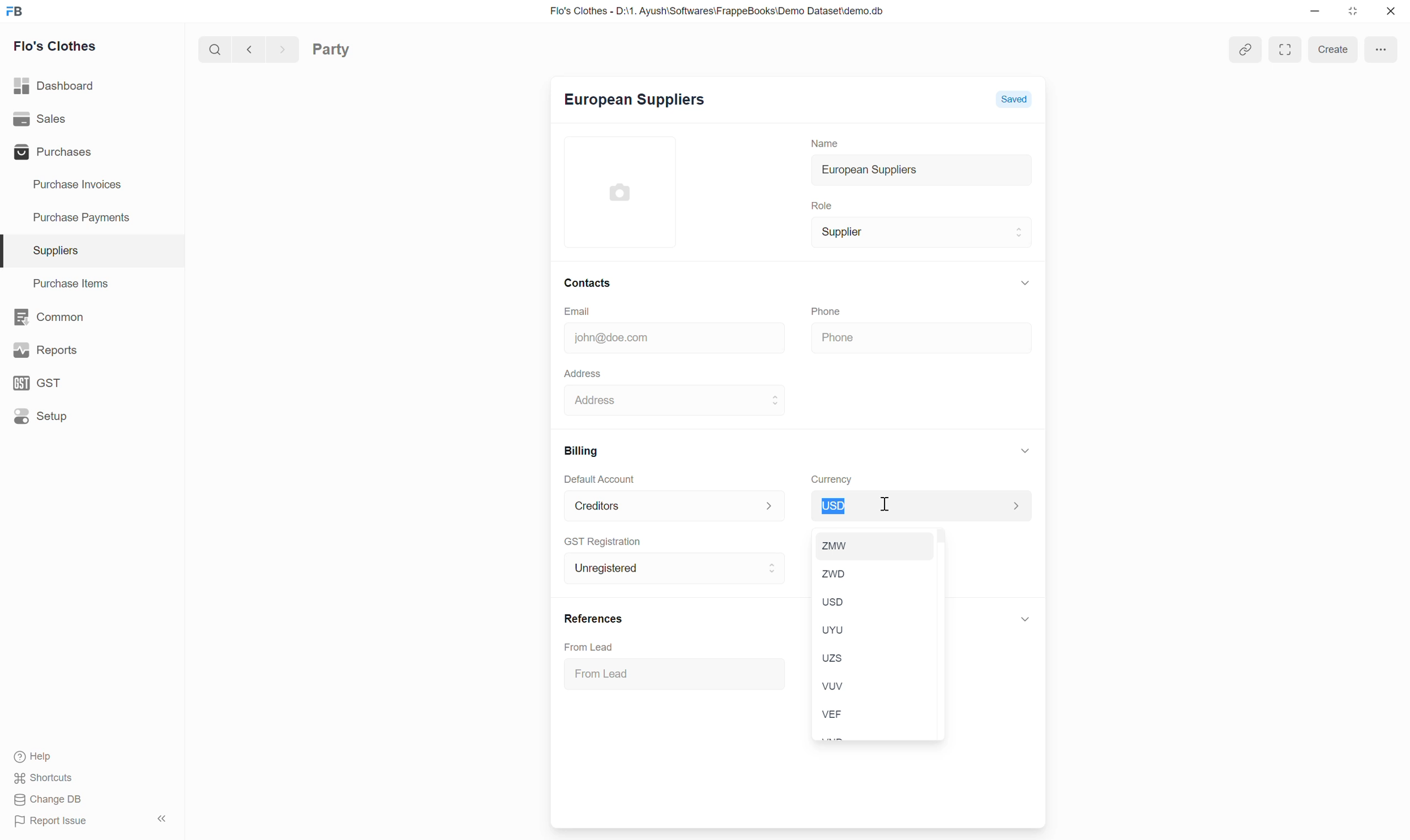 The height and width of the screenshot is (840, 1410). I want to click on Address, so click(601, 401).